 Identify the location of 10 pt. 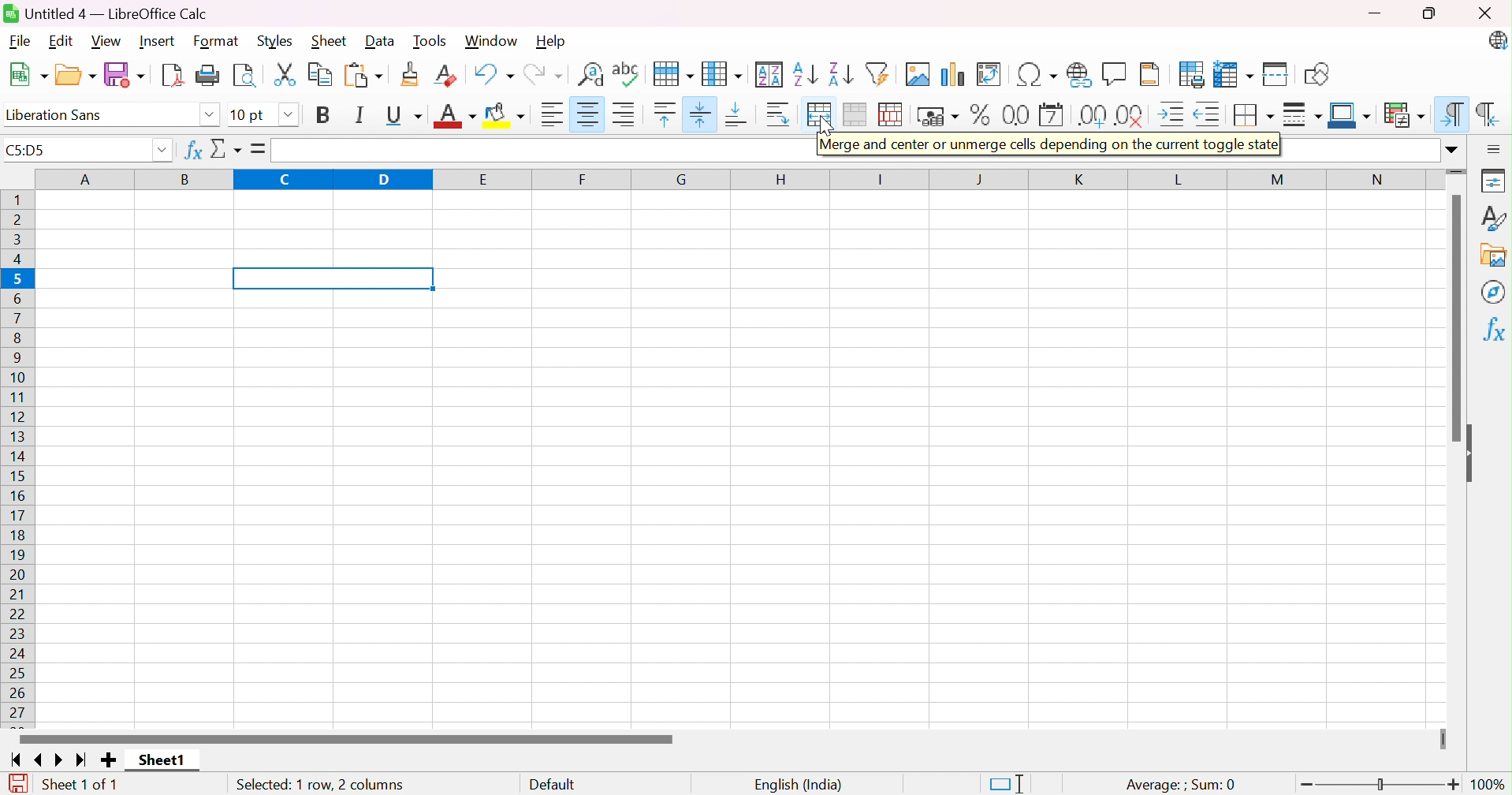
(249, 114).